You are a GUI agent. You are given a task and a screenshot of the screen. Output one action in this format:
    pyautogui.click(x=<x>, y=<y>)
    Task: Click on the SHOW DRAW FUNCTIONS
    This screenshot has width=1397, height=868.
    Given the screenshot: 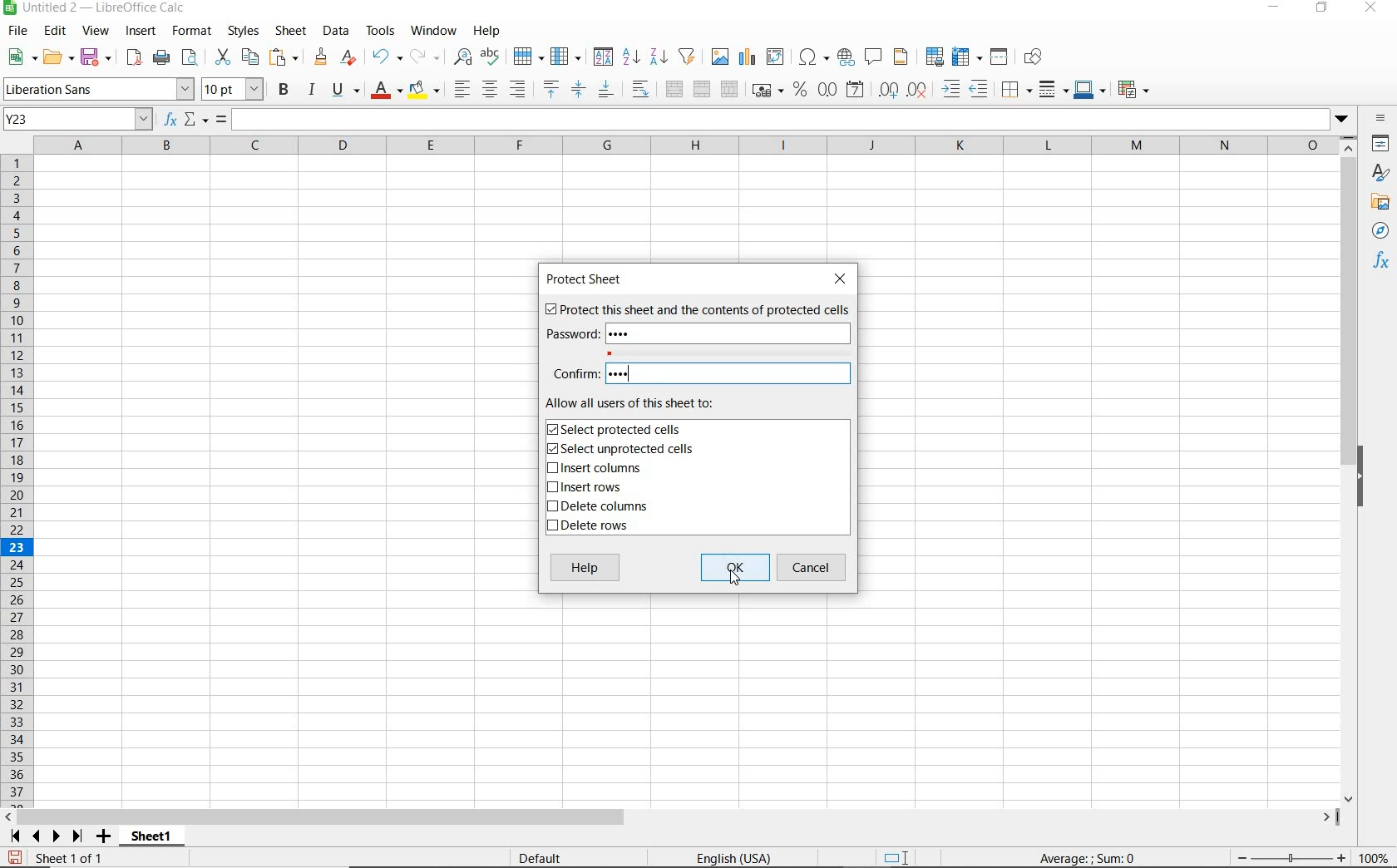 What is the action you would take?
    pyautogui.click(x=1034, y=57)
    